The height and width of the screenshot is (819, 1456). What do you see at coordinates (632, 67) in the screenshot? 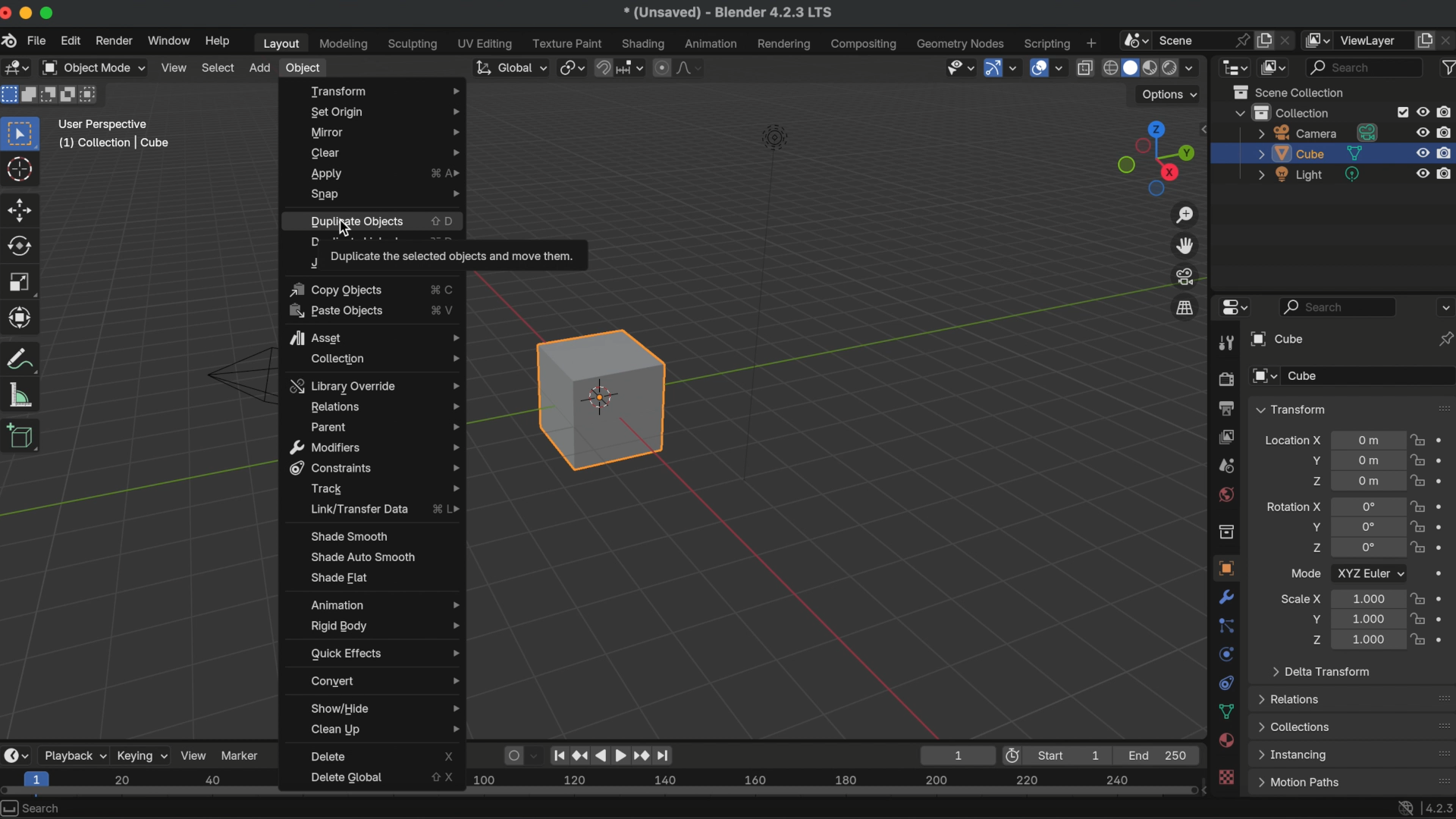
I see `snapping` at bounding box center [632, 67].